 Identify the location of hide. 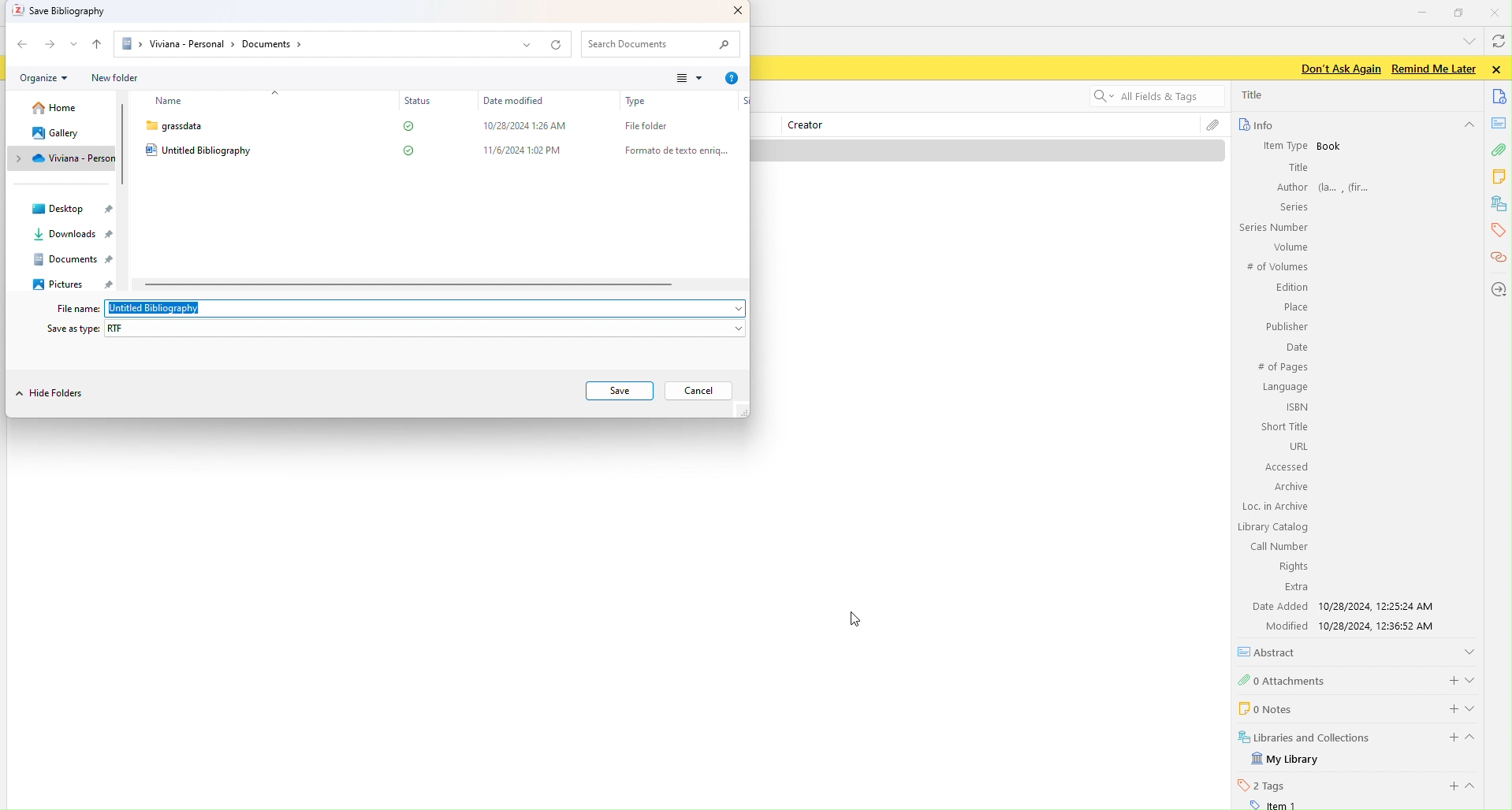
(1477, 740).